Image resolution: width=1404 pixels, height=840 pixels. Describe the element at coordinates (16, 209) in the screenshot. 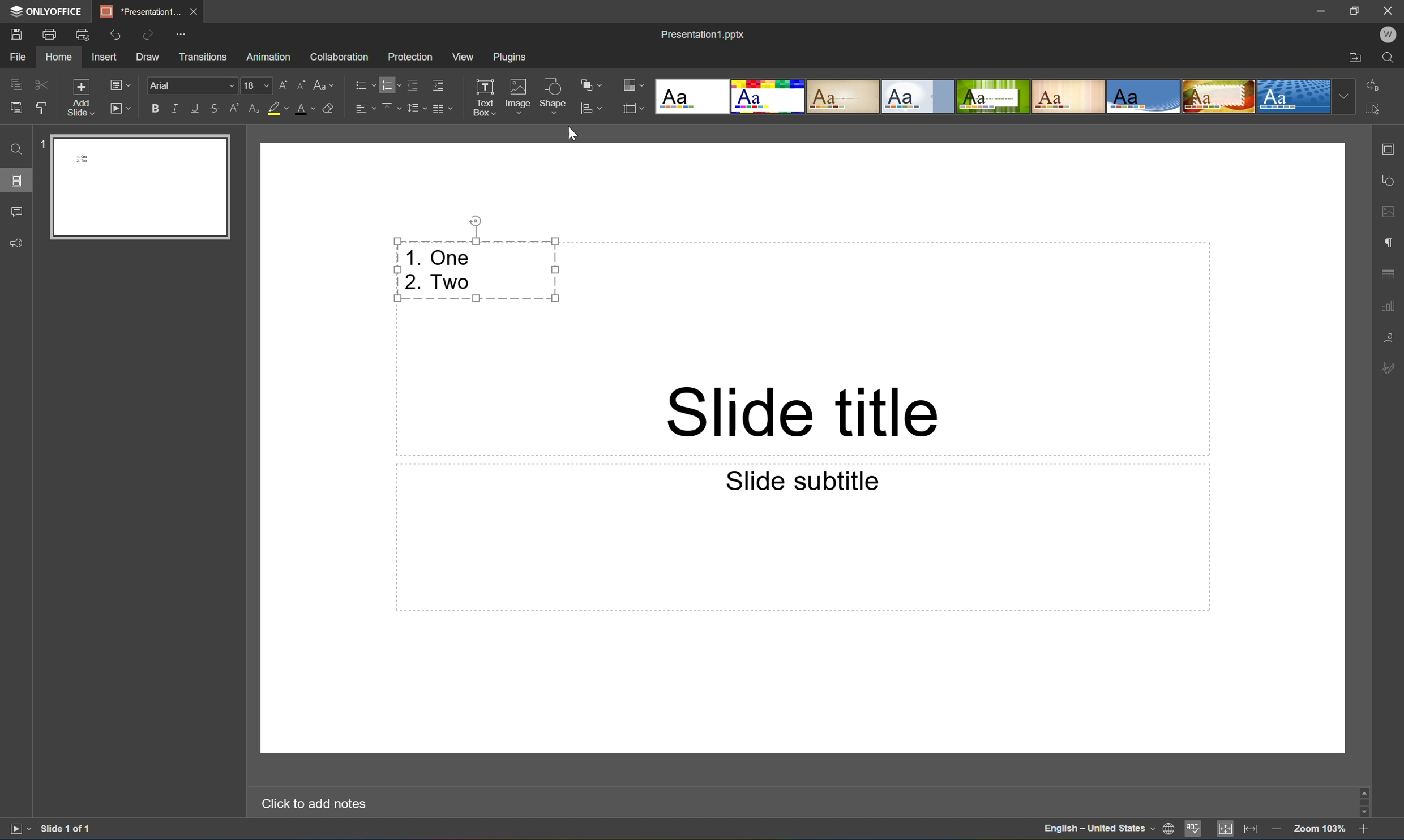

I see `Comments` at that location.